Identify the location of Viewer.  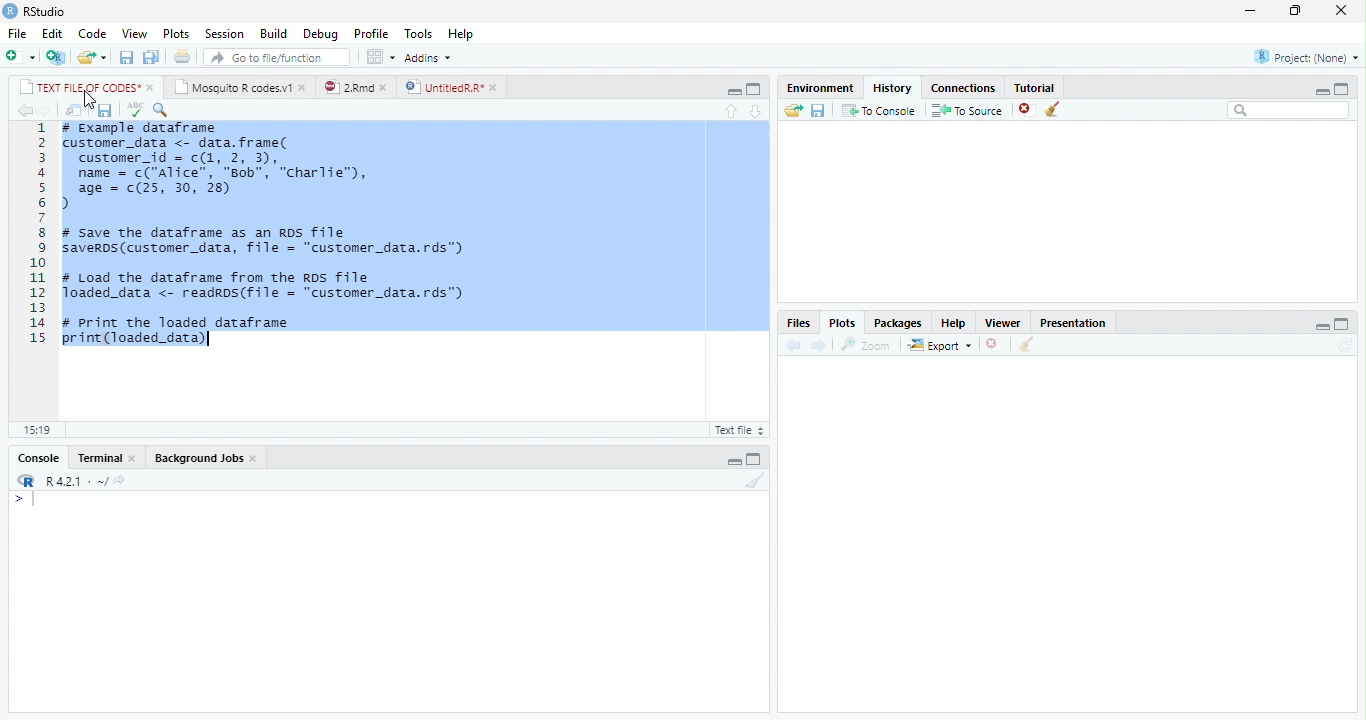
(1002, 322).